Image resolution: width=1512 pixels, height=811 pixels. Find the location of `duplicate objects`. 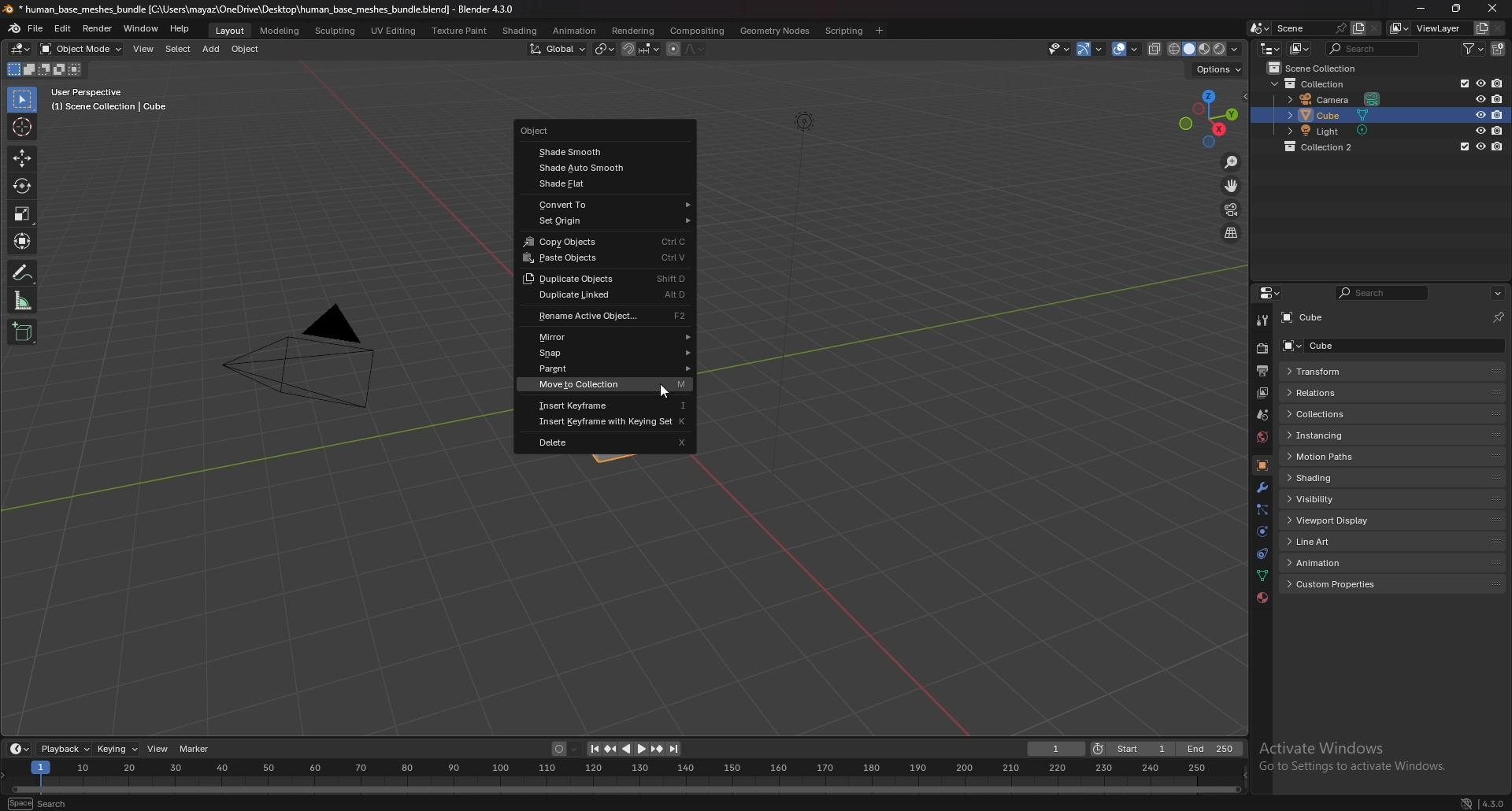

duplicate objects is located at coordinates (604, 279).